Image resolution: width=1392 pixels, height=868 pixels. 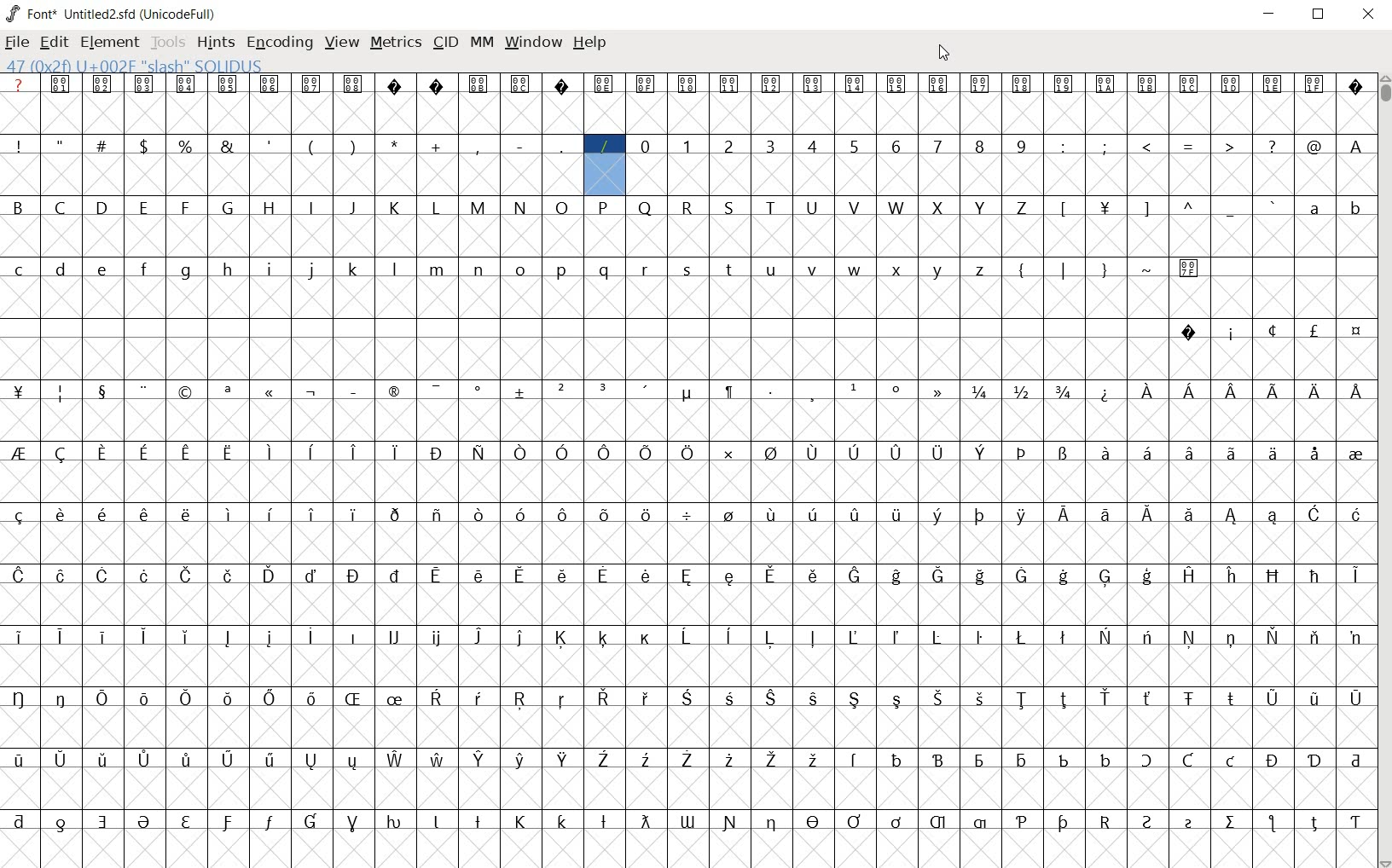 I want to click on glyph, so click(x=1106, y=394).